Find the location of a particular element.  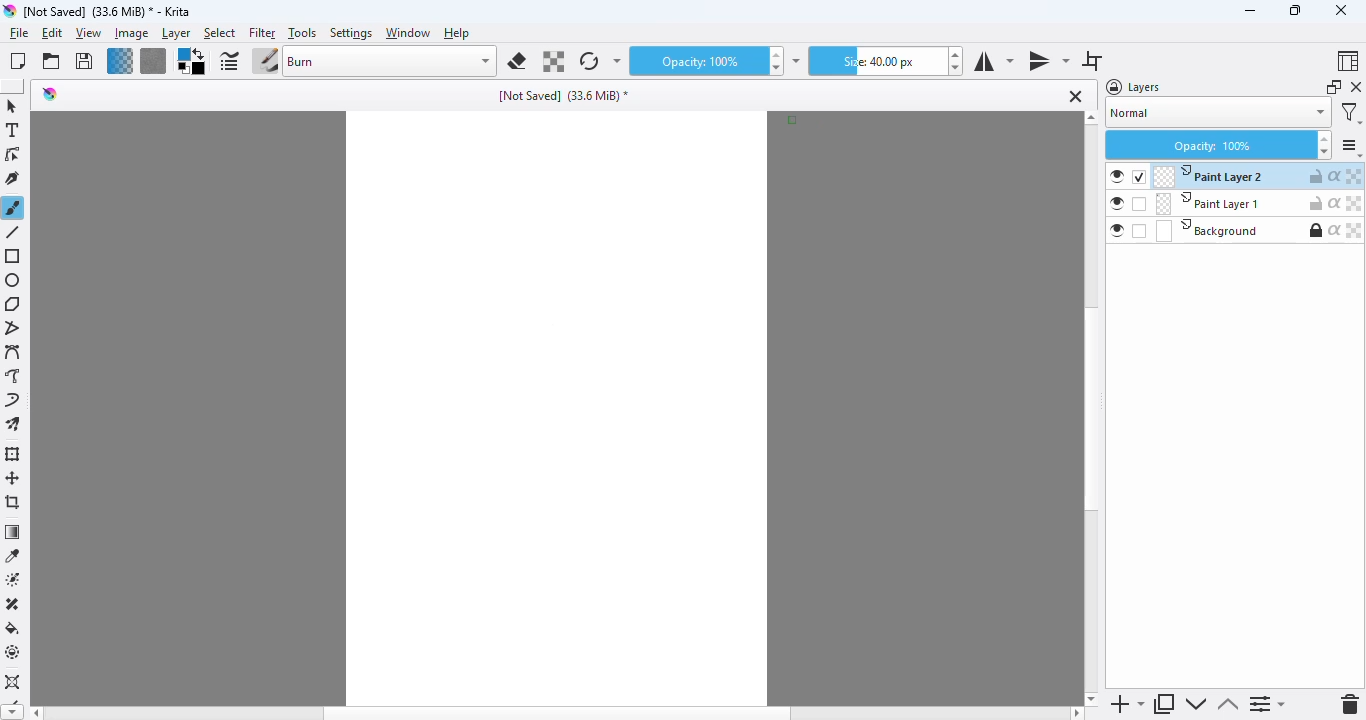

assistant tool is located at coordinates (13, 683).